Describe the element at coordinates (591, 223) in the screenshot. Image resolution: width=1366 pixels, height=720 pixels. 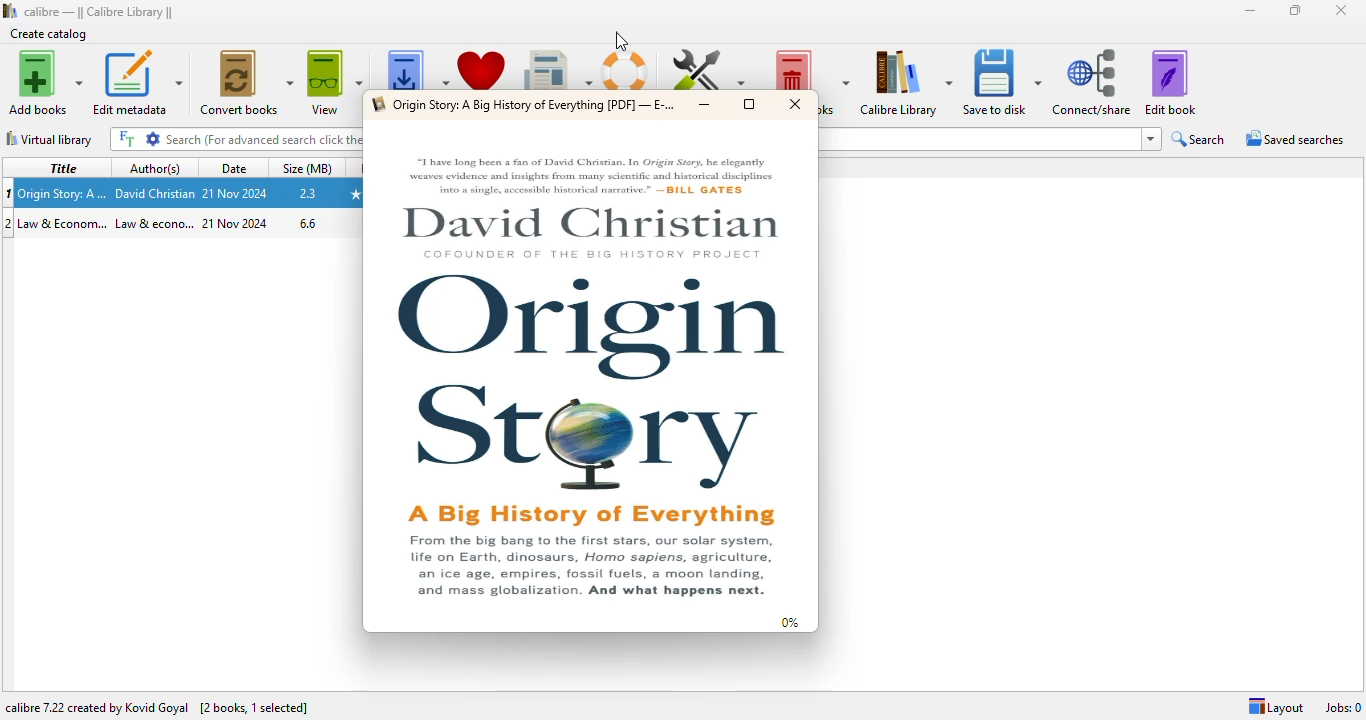
I see `Author` at that location.